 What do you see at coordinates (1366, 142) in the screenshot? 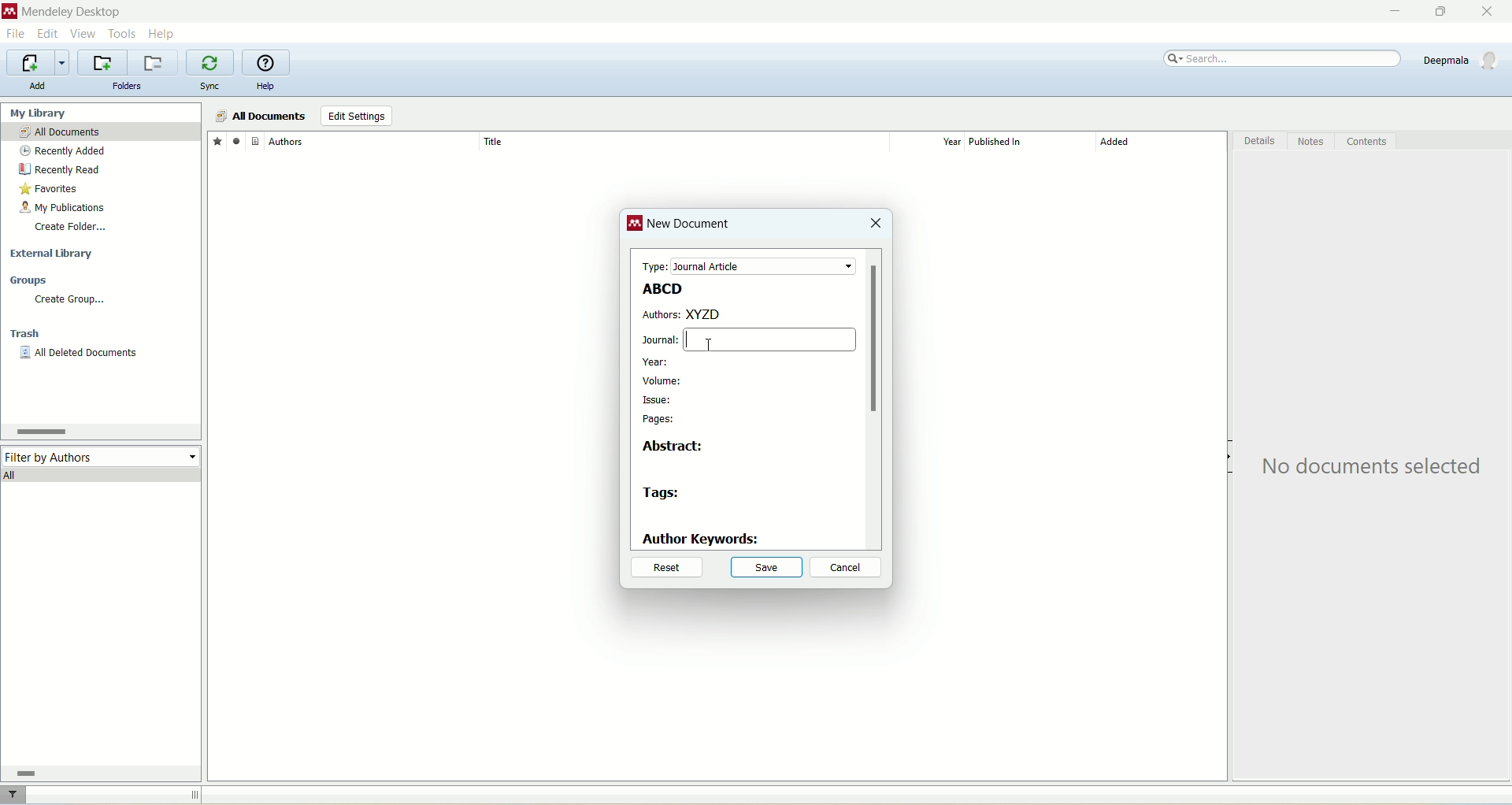
I see `content` at bounding box center [1366, 142].